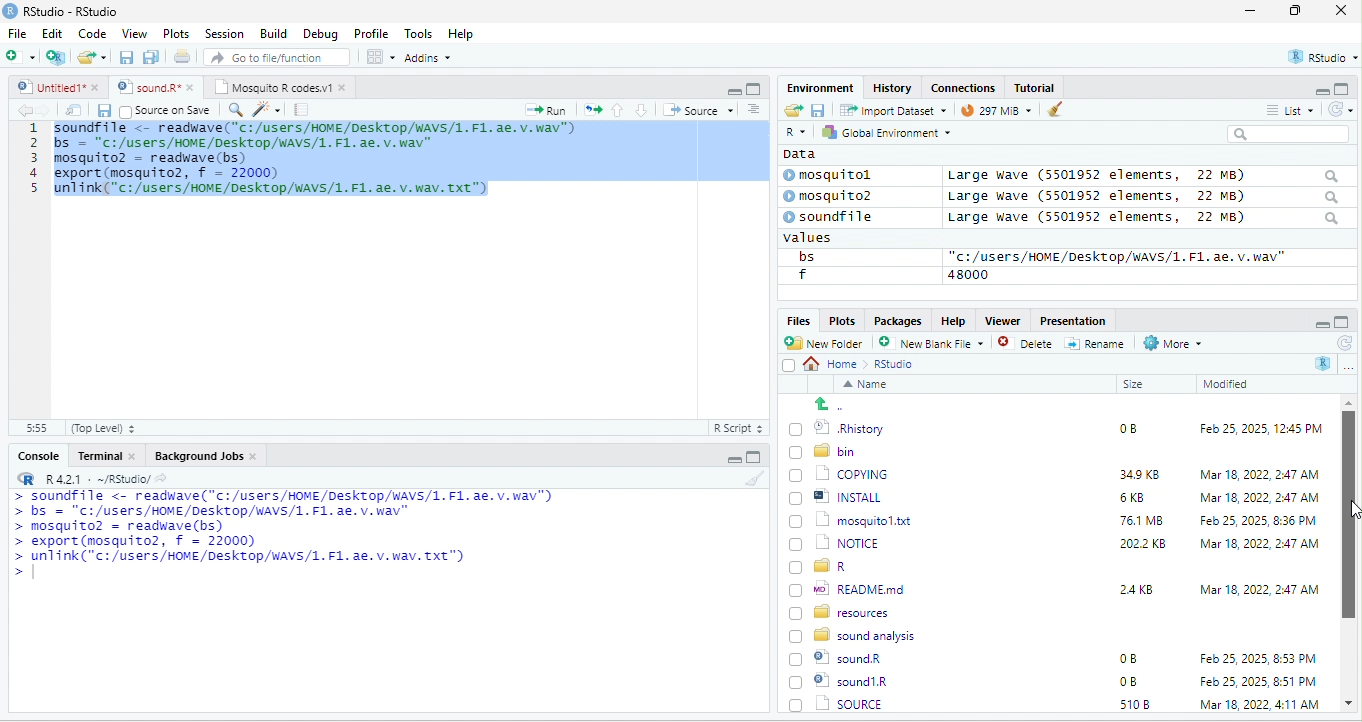 This screenshot has height=722, width=1362. What do you see at coordinates (1117, 256) in the screenshot?
I see `“c:/users/HOME /Desktop/WAVS/1.F1. ae. v.wav"` at bounding box center [1117, 256].